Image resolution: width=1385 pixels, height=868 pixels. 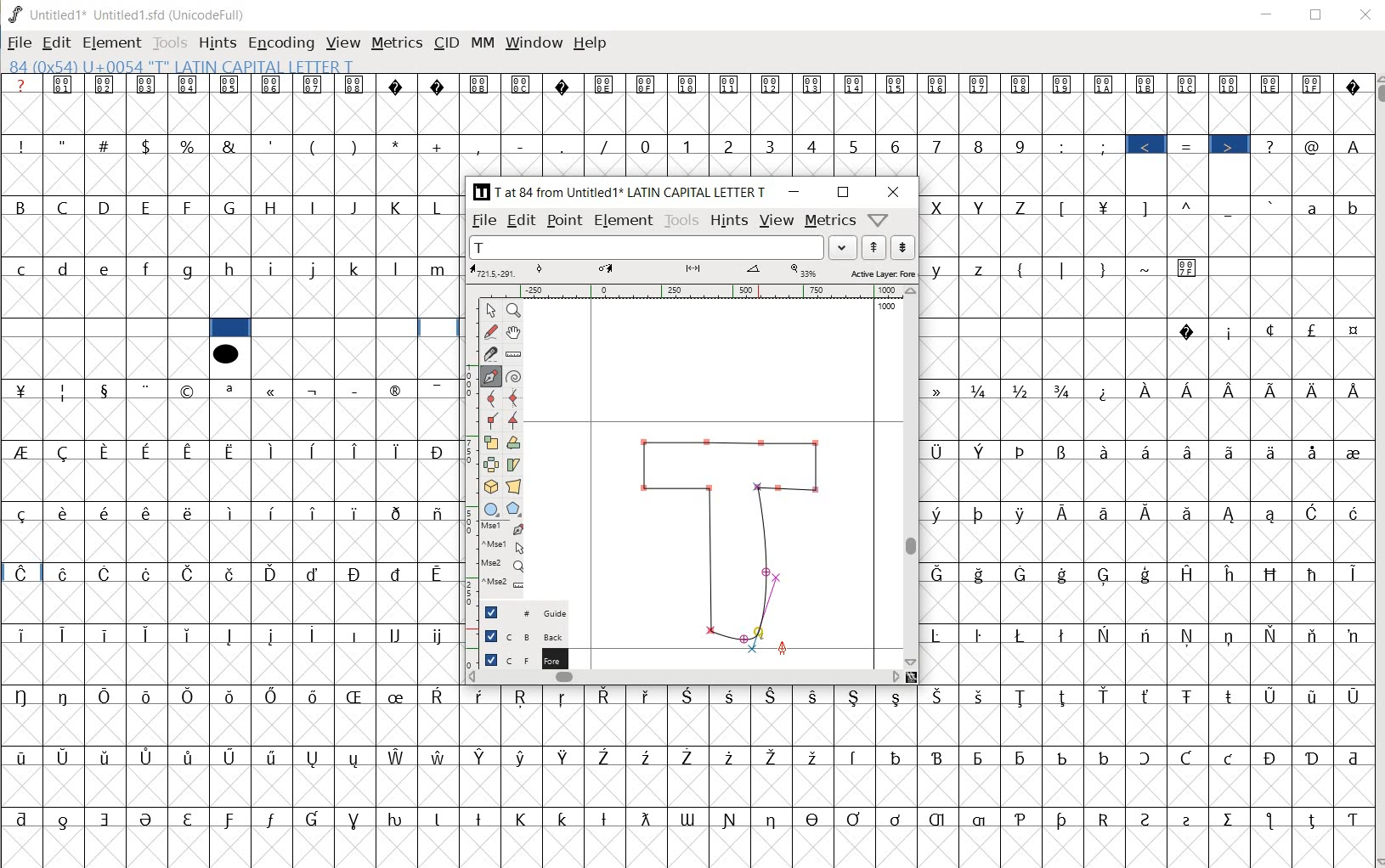 I want to click on z, so click(x=981, y=269).